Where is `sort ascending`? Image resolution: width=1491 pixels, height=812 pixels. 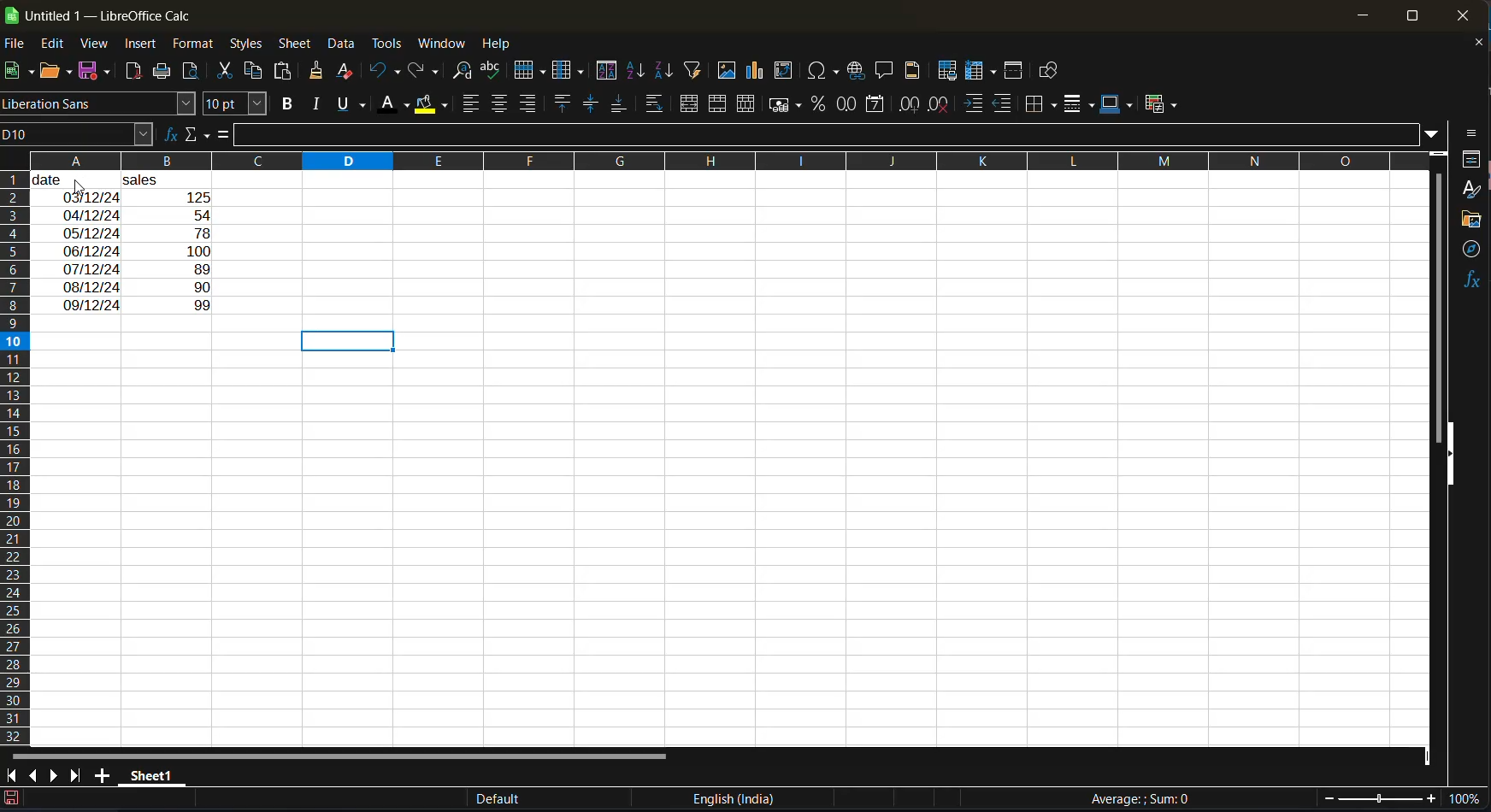
sort ascending is located at coordinates (638, 71).